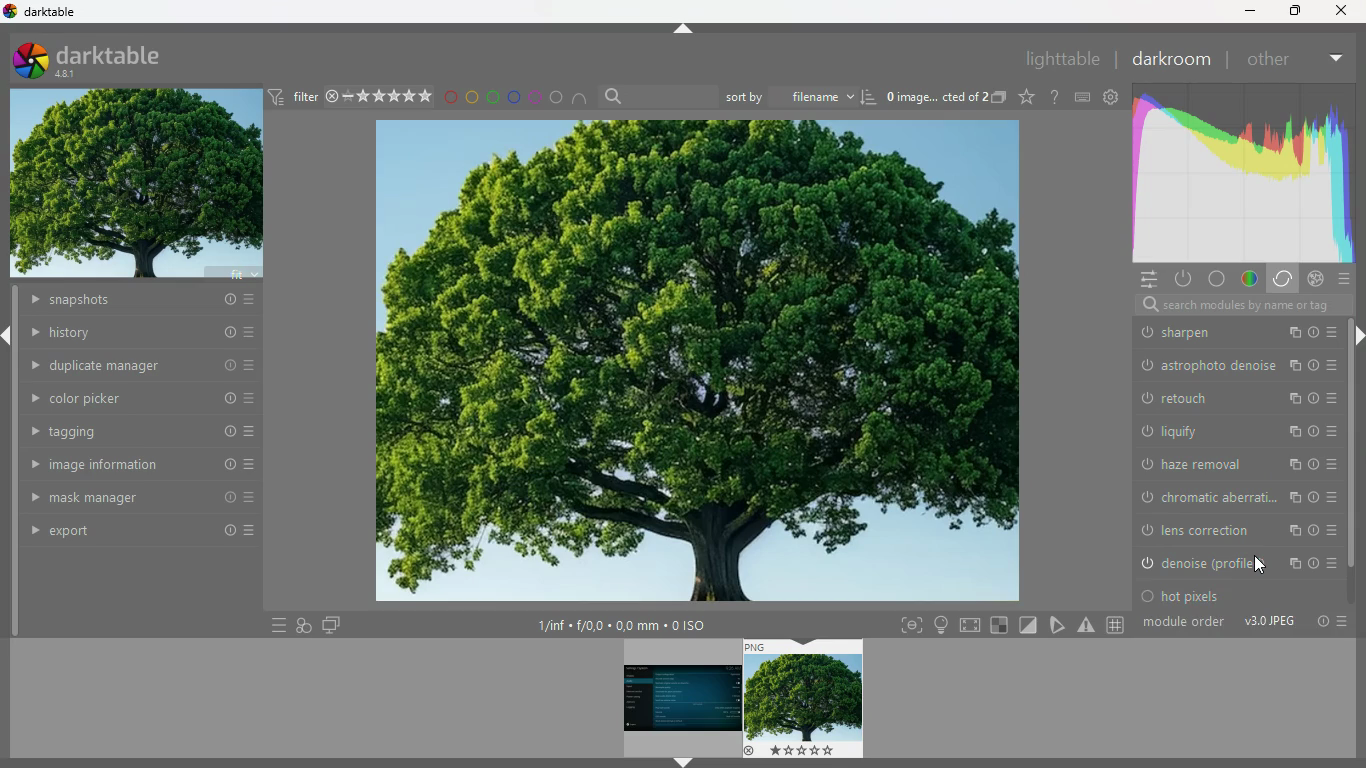 Image resolution: width=1366 pixels, height=768 pixels. I want to click on cancel, so click(1316, 279).